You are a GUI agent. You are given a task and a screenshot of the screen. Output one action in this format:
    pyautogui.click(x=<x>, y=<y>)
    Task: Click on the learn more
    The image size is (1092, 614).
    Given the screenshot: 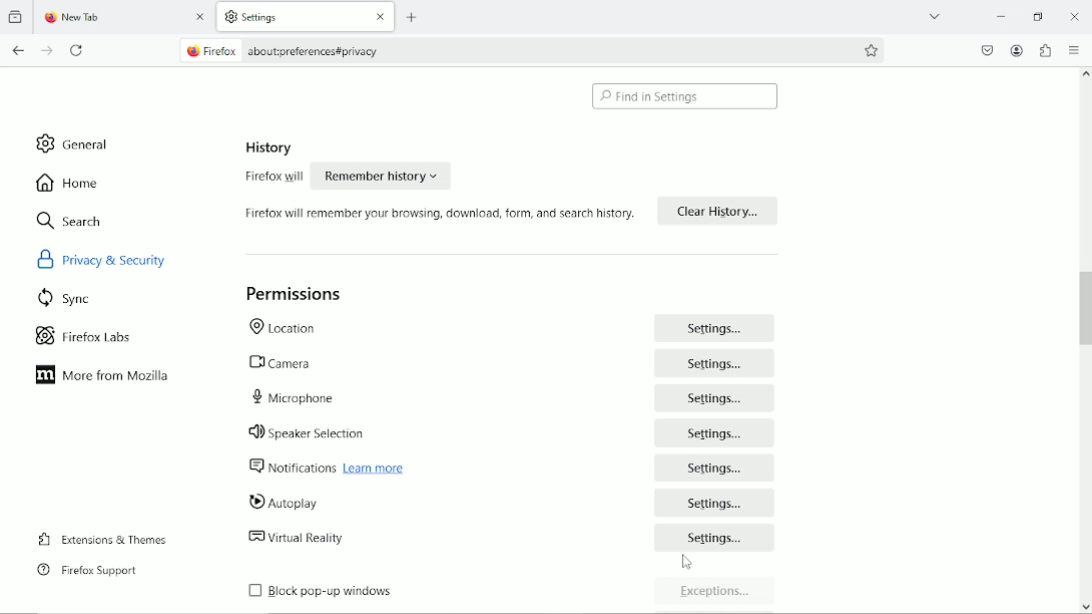 What is the action you would take?
    pyautogui.click(x=388, y=470)
    